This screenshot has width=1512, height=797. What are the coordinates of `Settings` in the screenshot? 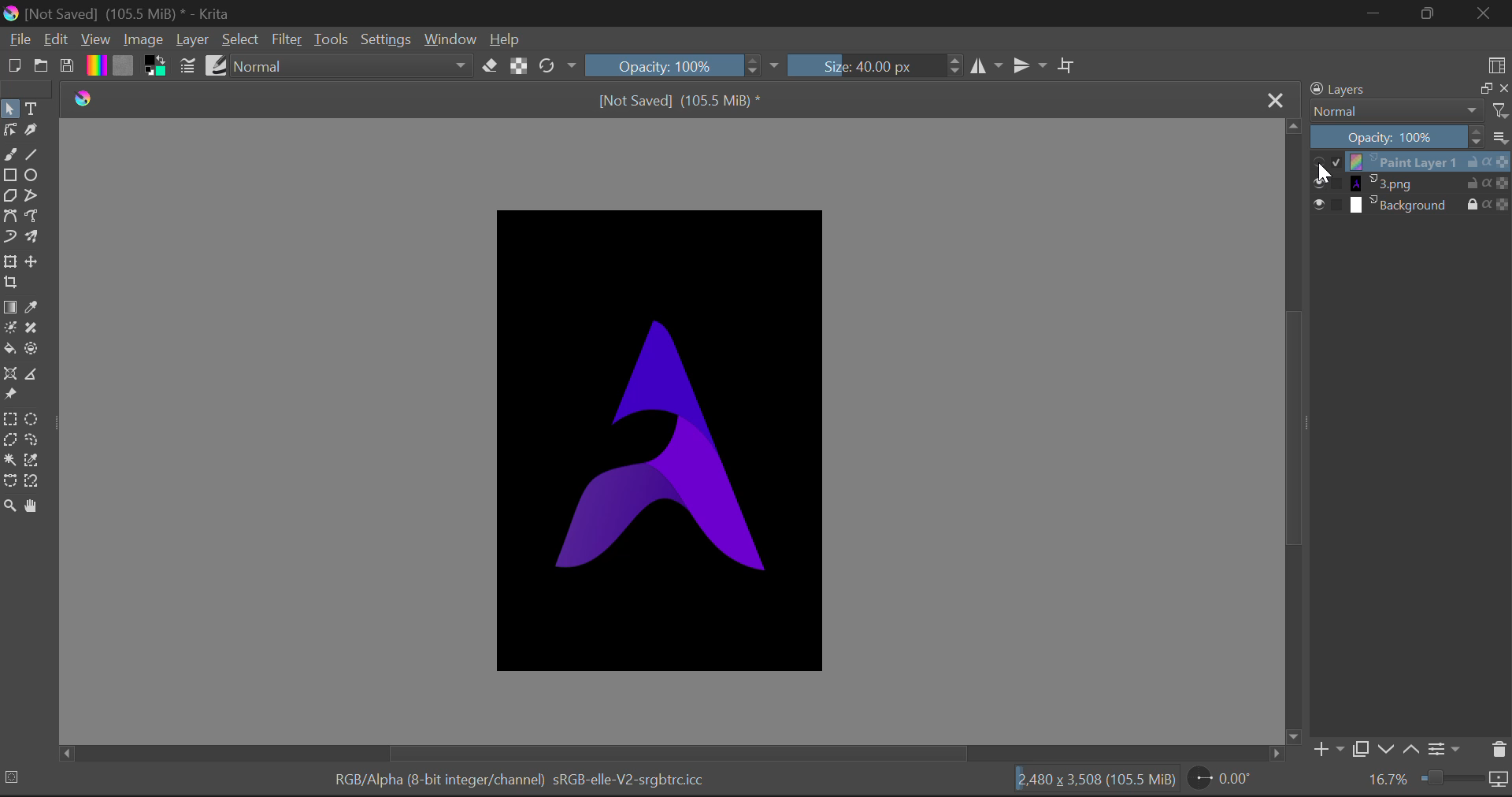 It's located at (388, 40).